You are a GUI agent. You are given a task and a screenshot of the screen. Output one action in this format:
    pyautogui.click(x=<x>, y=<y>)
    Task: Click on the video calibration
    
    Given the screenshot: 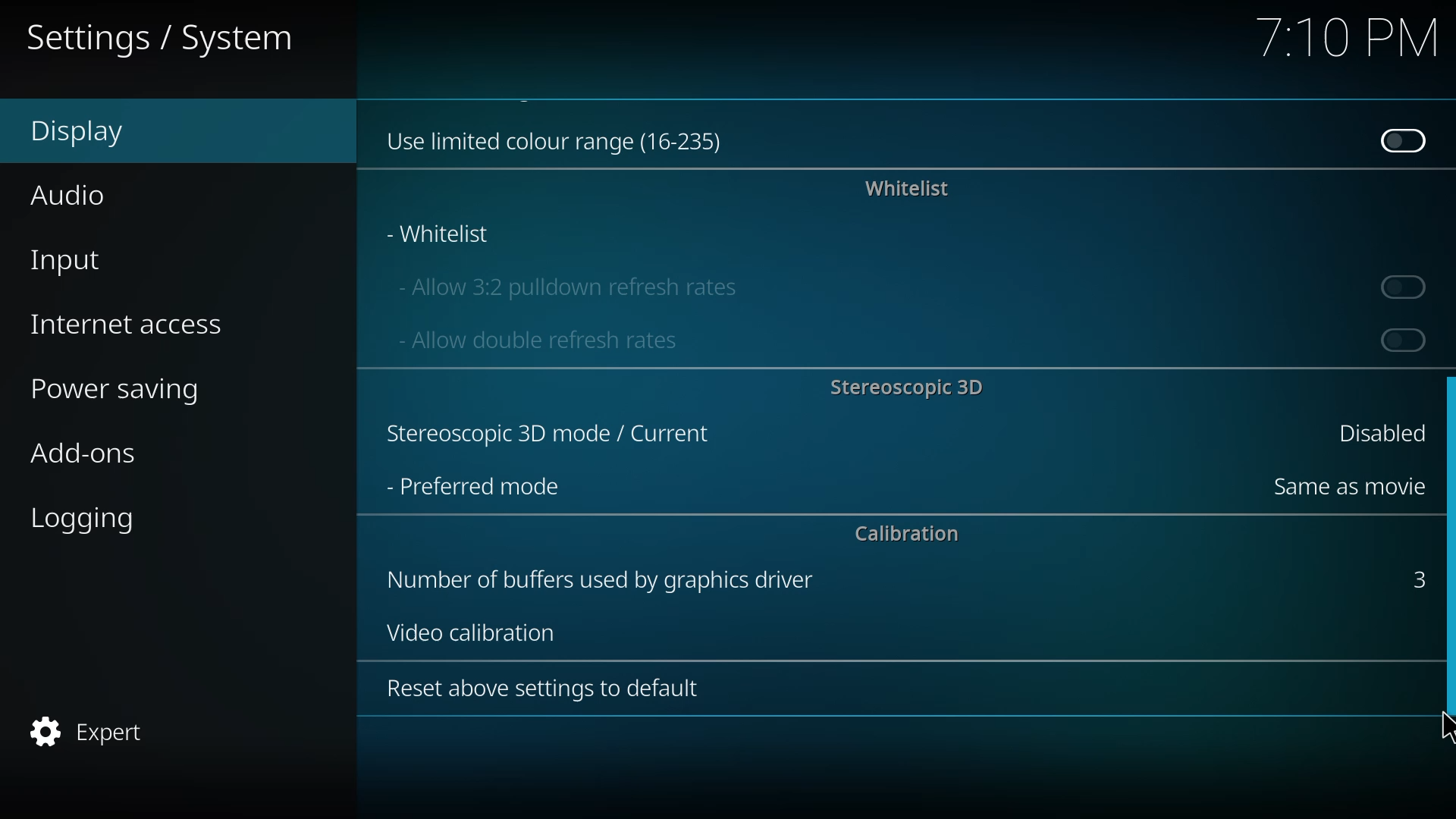 What is the action you would take?
    pyautogui.click(x=466, y=631)
    